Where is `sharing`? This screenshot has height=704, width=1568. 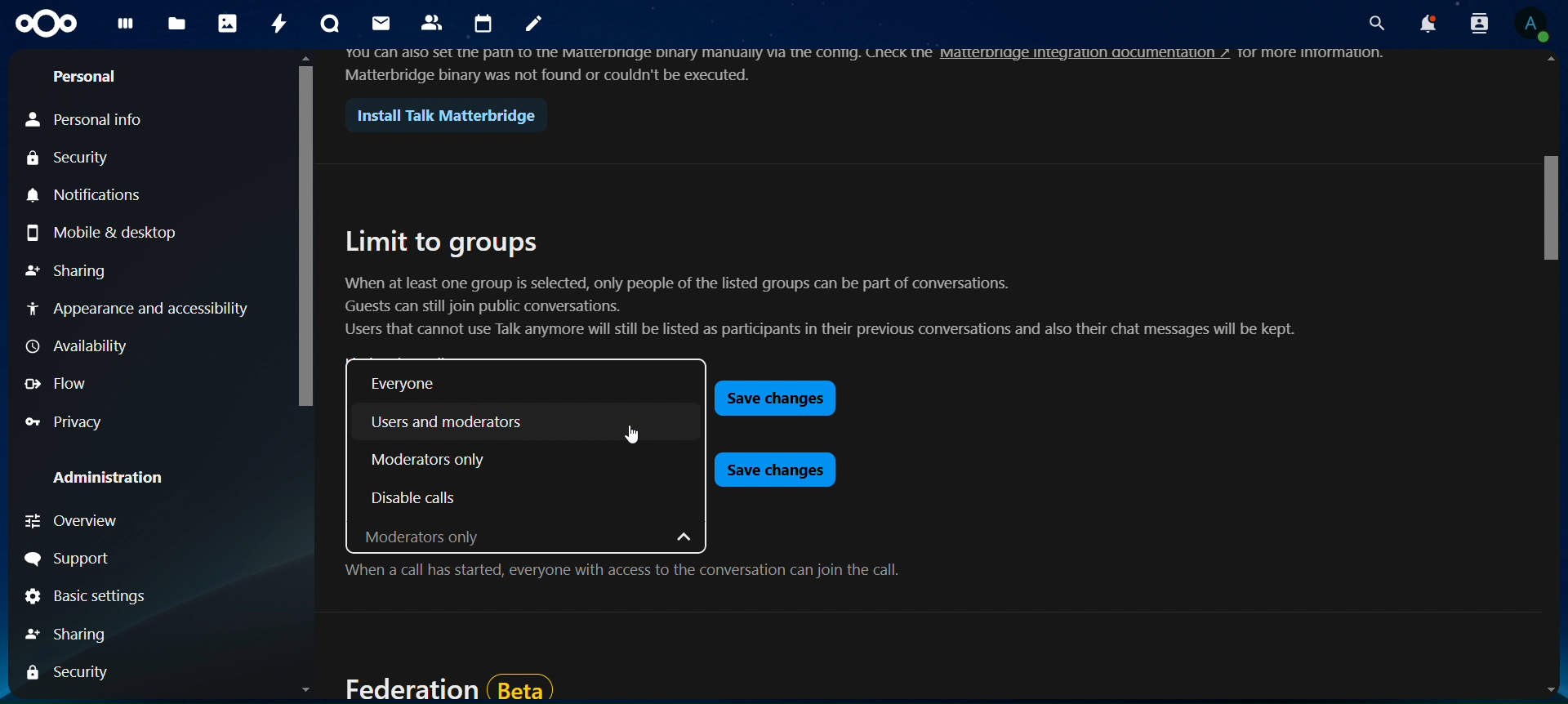 sharing is located at coordinates (66, 271).